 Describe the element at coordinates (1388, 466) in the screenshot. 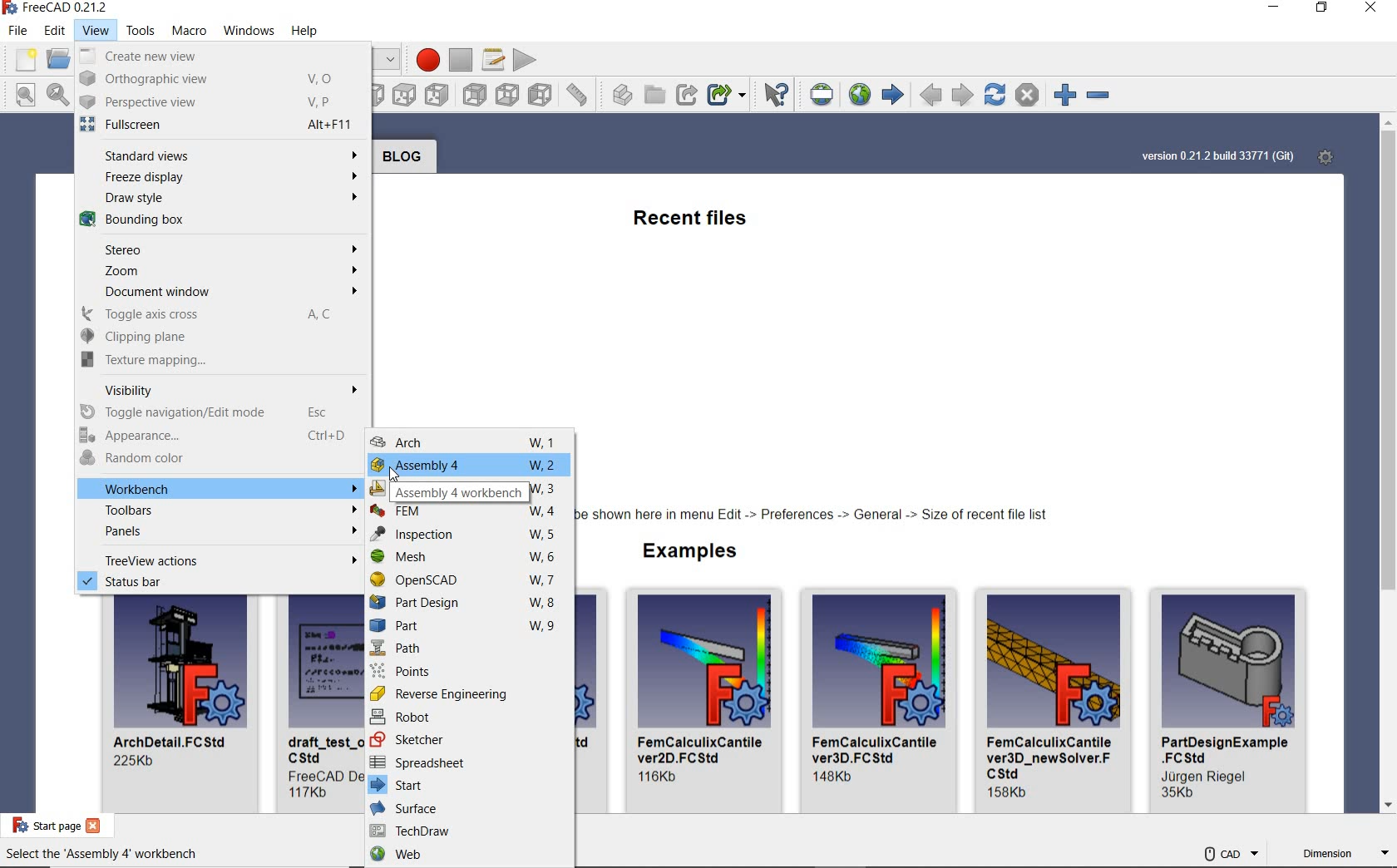

I see `scrollbar` at that location.